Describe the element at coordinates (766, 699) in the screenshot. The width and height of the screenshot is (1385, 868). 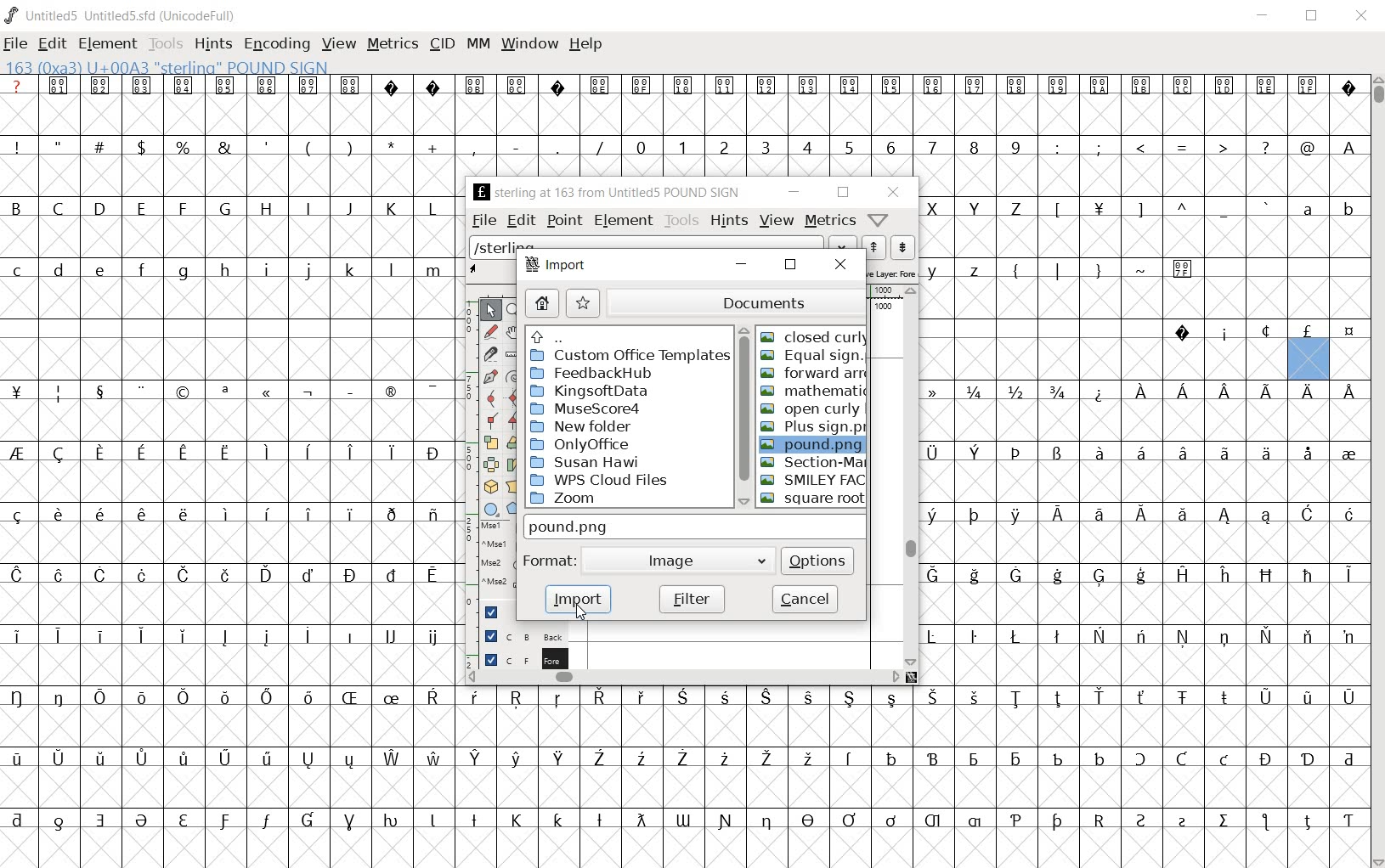
I see `Symbol` at that location.